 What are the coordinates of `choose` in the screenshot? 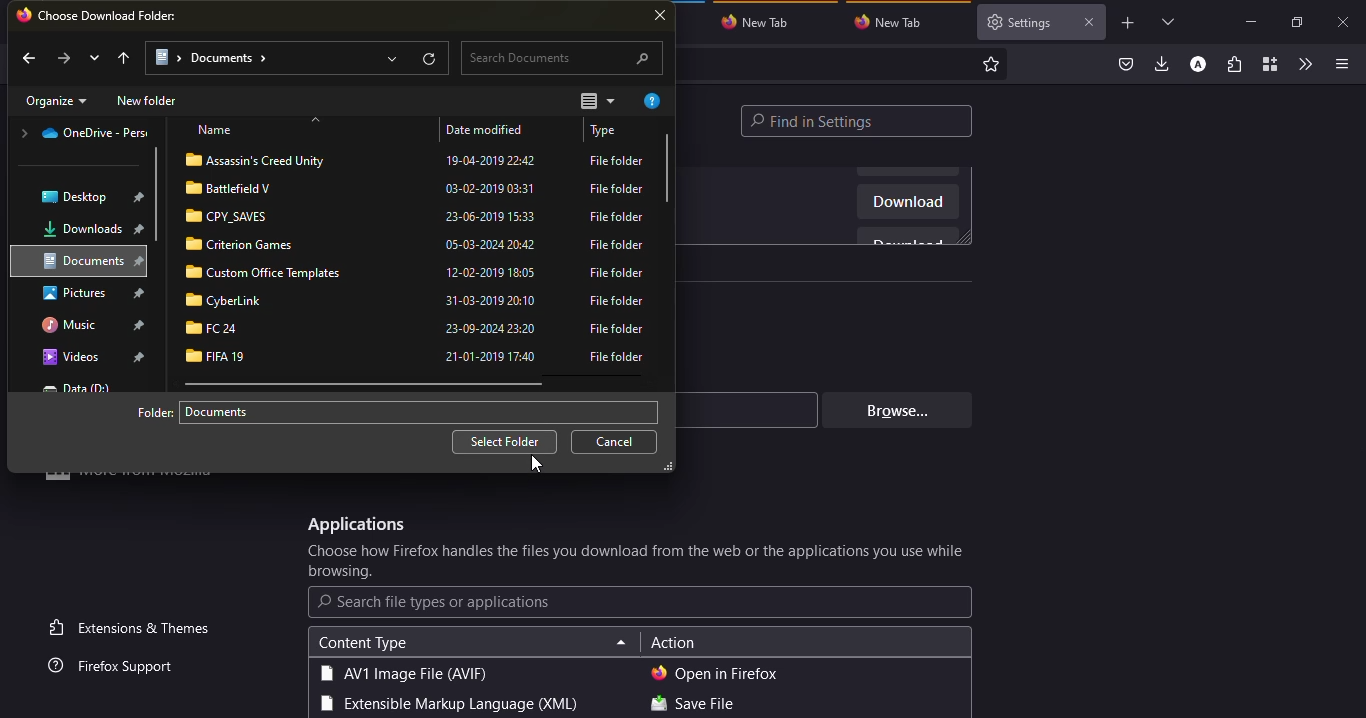 It's located at (638, 562).